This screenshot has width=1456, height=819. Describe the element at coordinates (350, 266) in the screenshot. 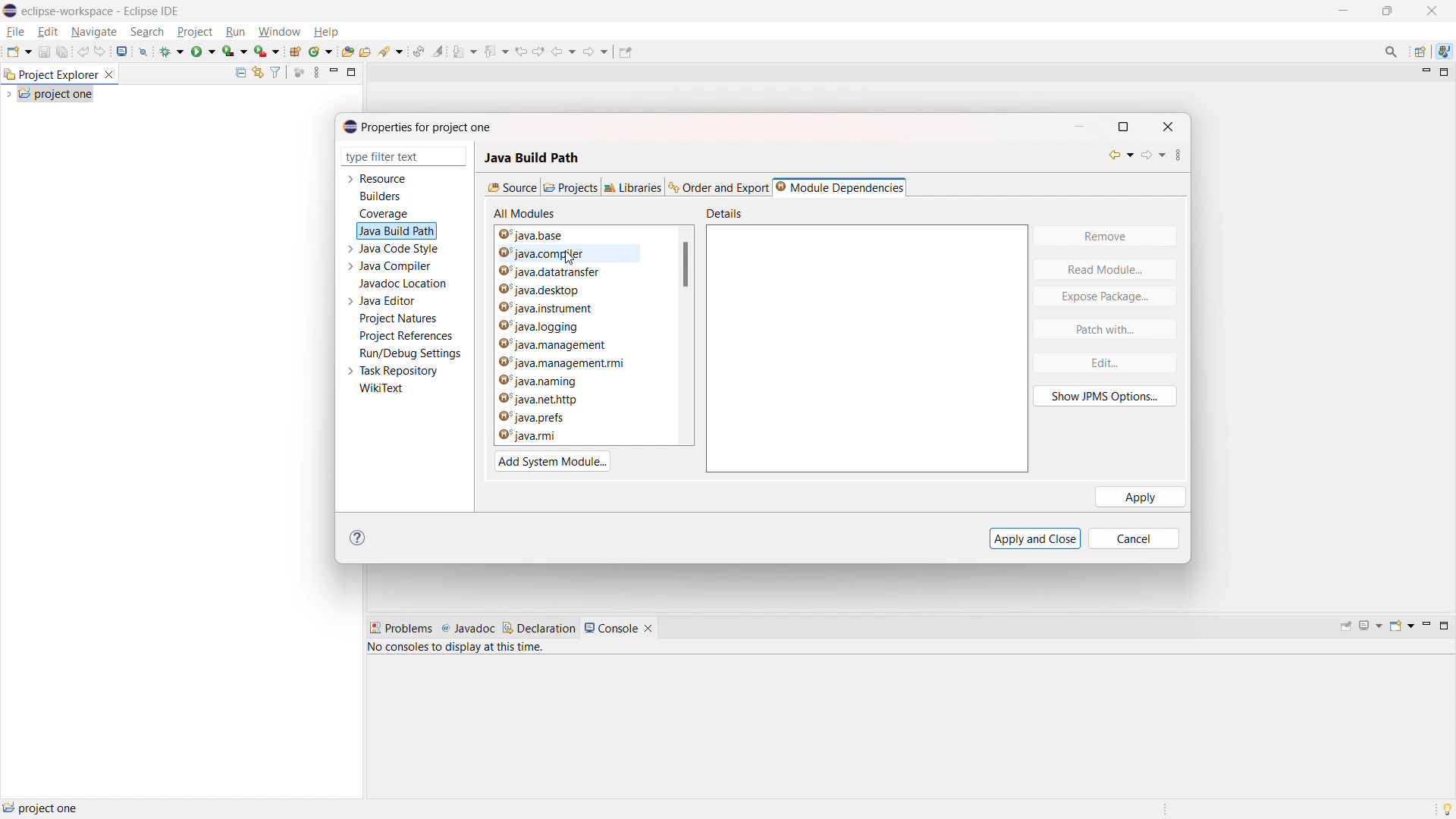

I see `expand java compiler` at that location.